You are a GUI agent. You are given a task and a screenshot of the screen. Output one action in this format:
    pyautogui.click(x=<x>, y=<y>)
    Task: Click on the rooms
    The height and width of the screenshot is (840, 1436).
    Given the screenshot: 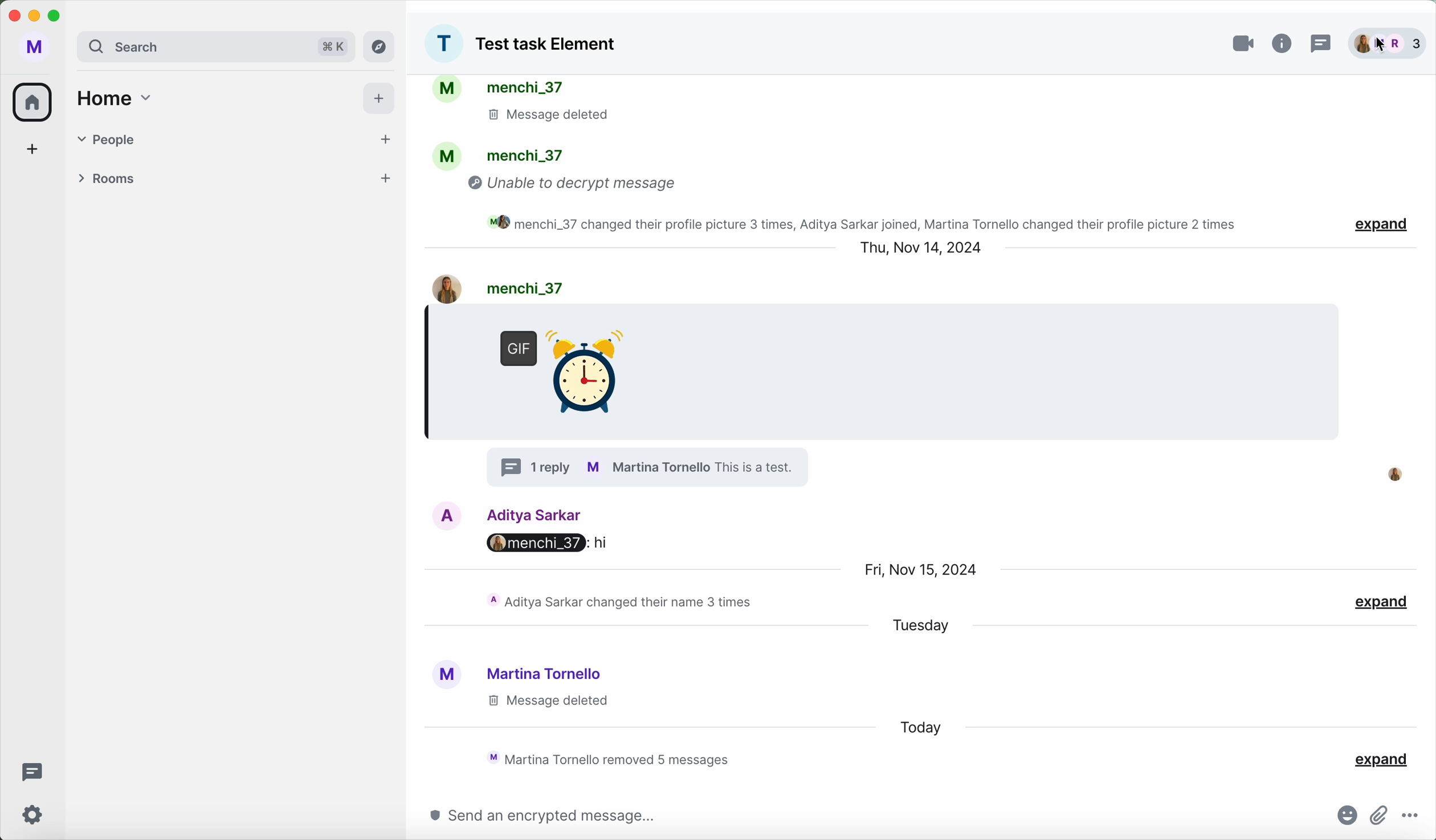 What is the action you would take?
    pyautogui.click(x=214, y=176)
    